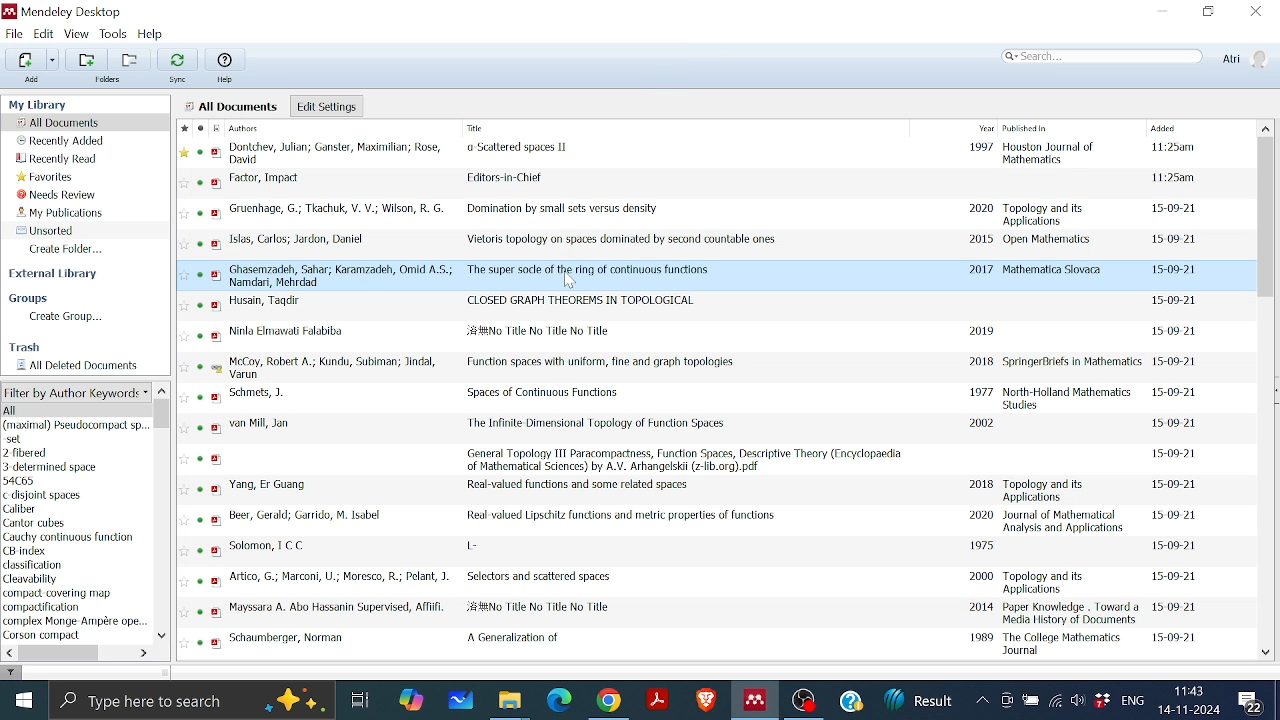 This screenshot has height=720, width=1280. Describe the element at coordinates (58, 159) in the screenshot. I see `Recently read` at that location.